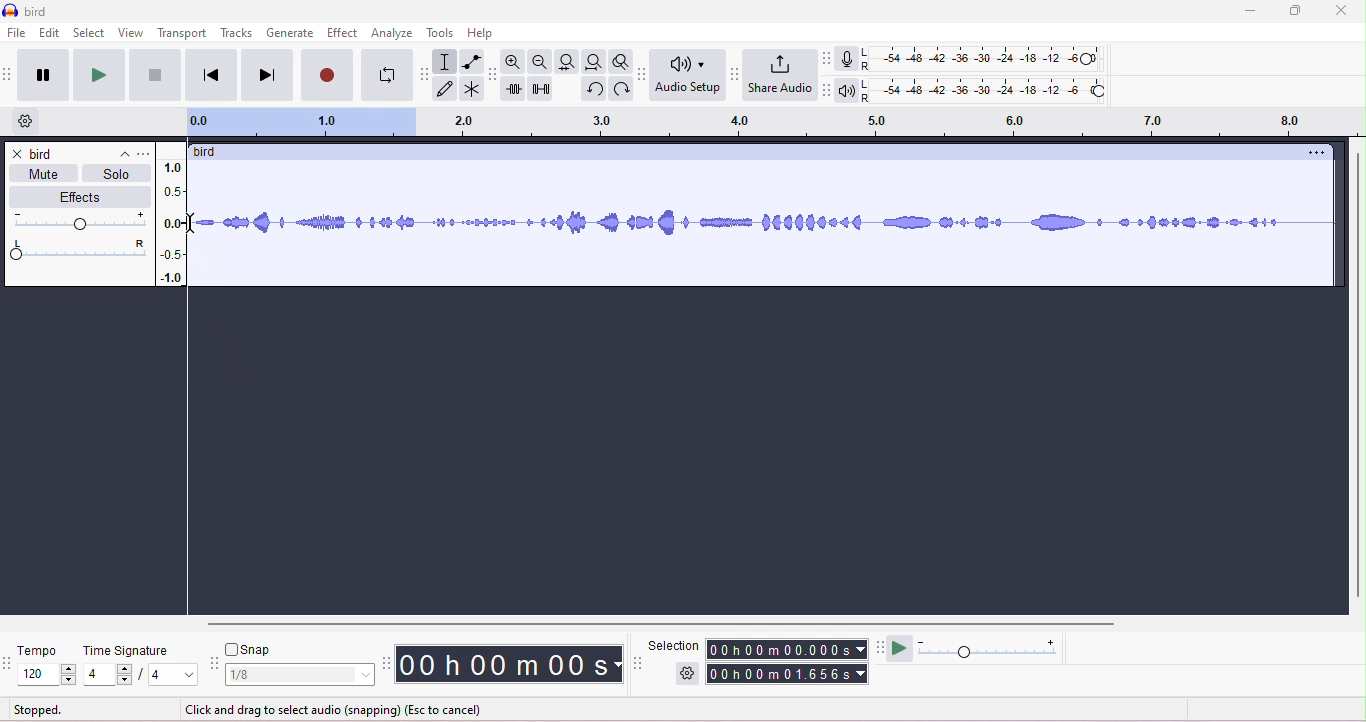 This screenshot has height=722, width=1366. I want to click on selection options, so click(685, 675).